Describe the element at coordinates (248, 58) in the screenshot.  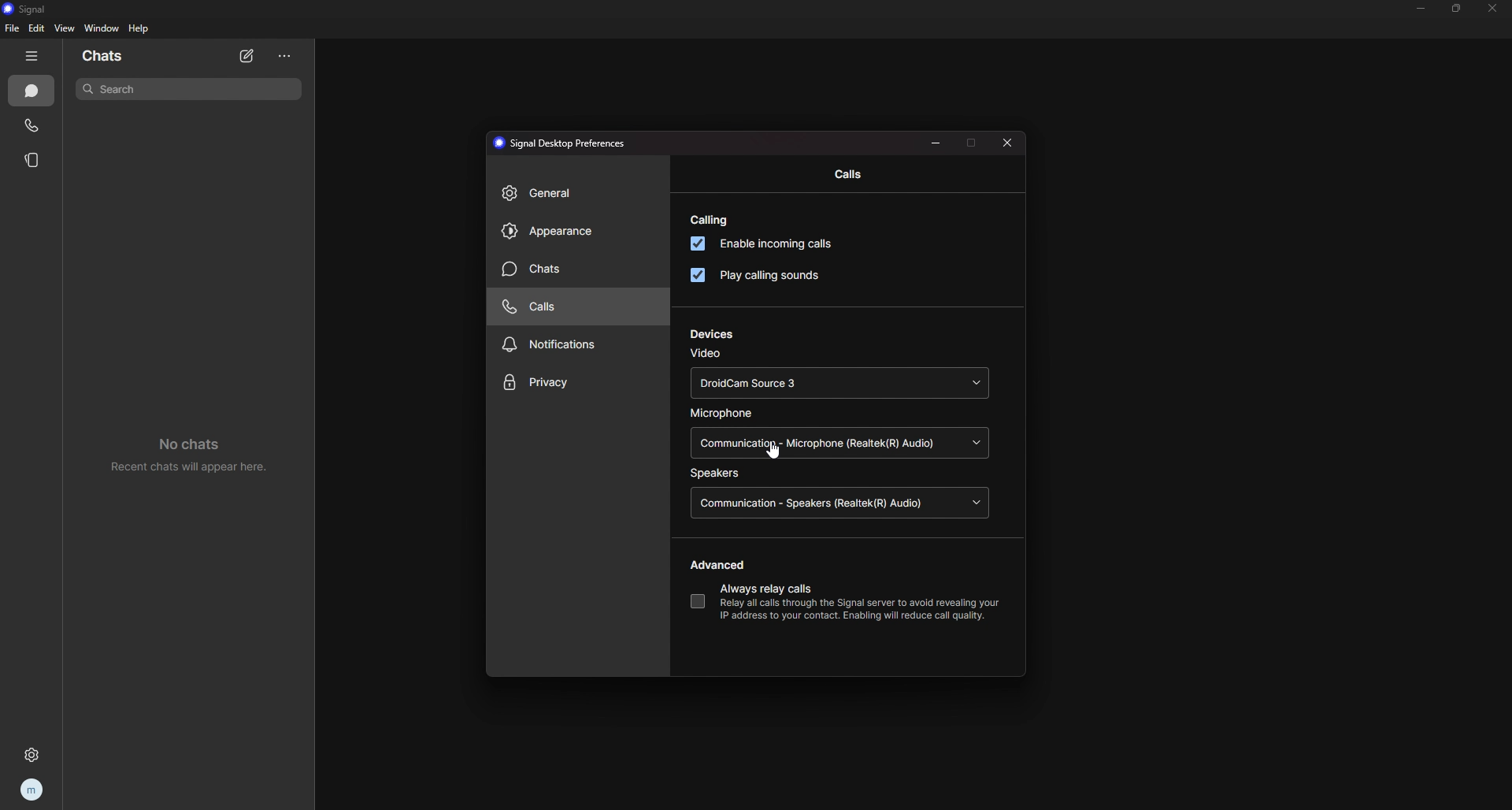
I see `new chat` at that location.